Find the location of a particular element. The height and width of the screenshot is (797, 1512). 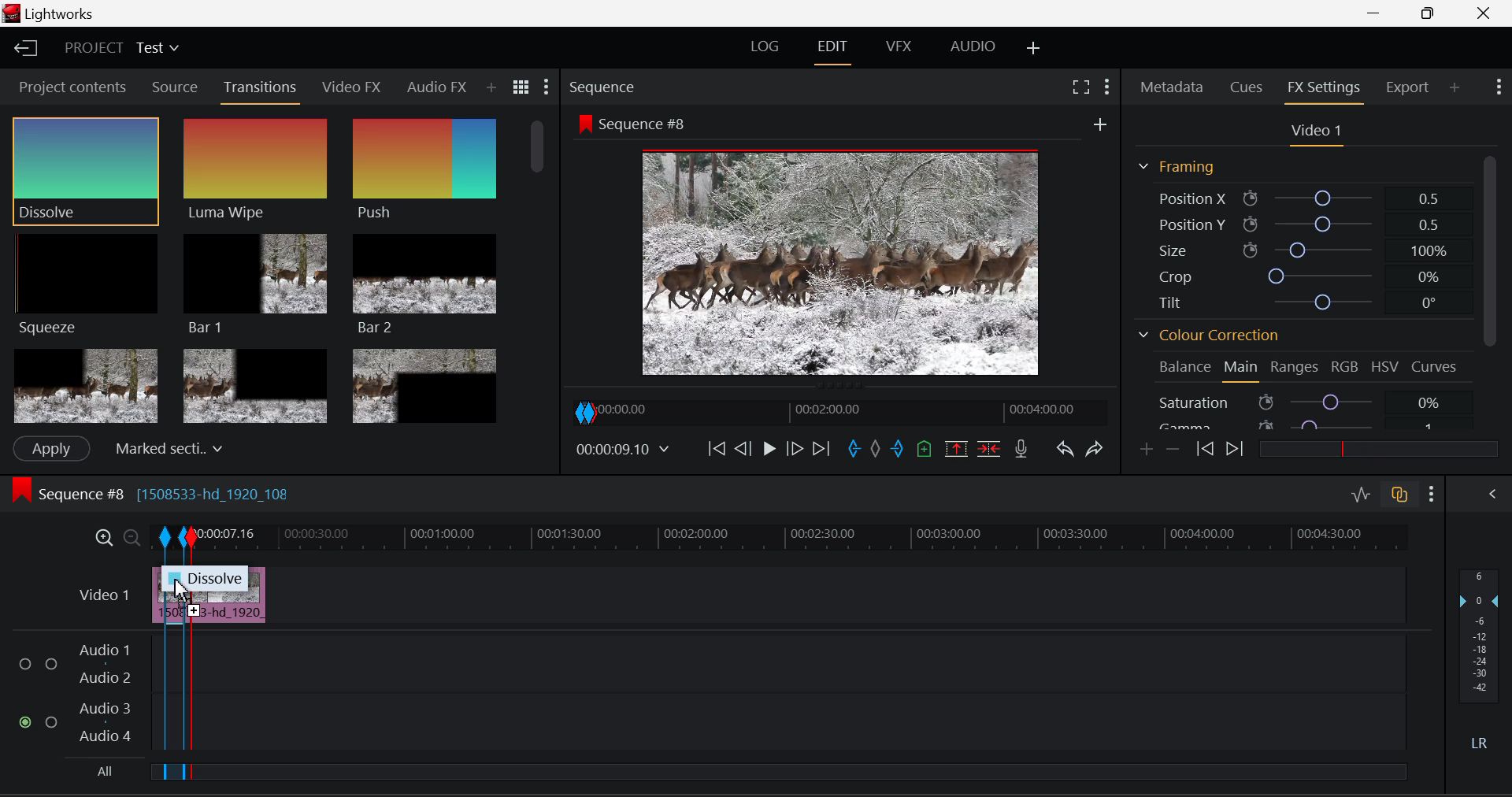

Remove Marked Section is located at coordinates (958, 448).